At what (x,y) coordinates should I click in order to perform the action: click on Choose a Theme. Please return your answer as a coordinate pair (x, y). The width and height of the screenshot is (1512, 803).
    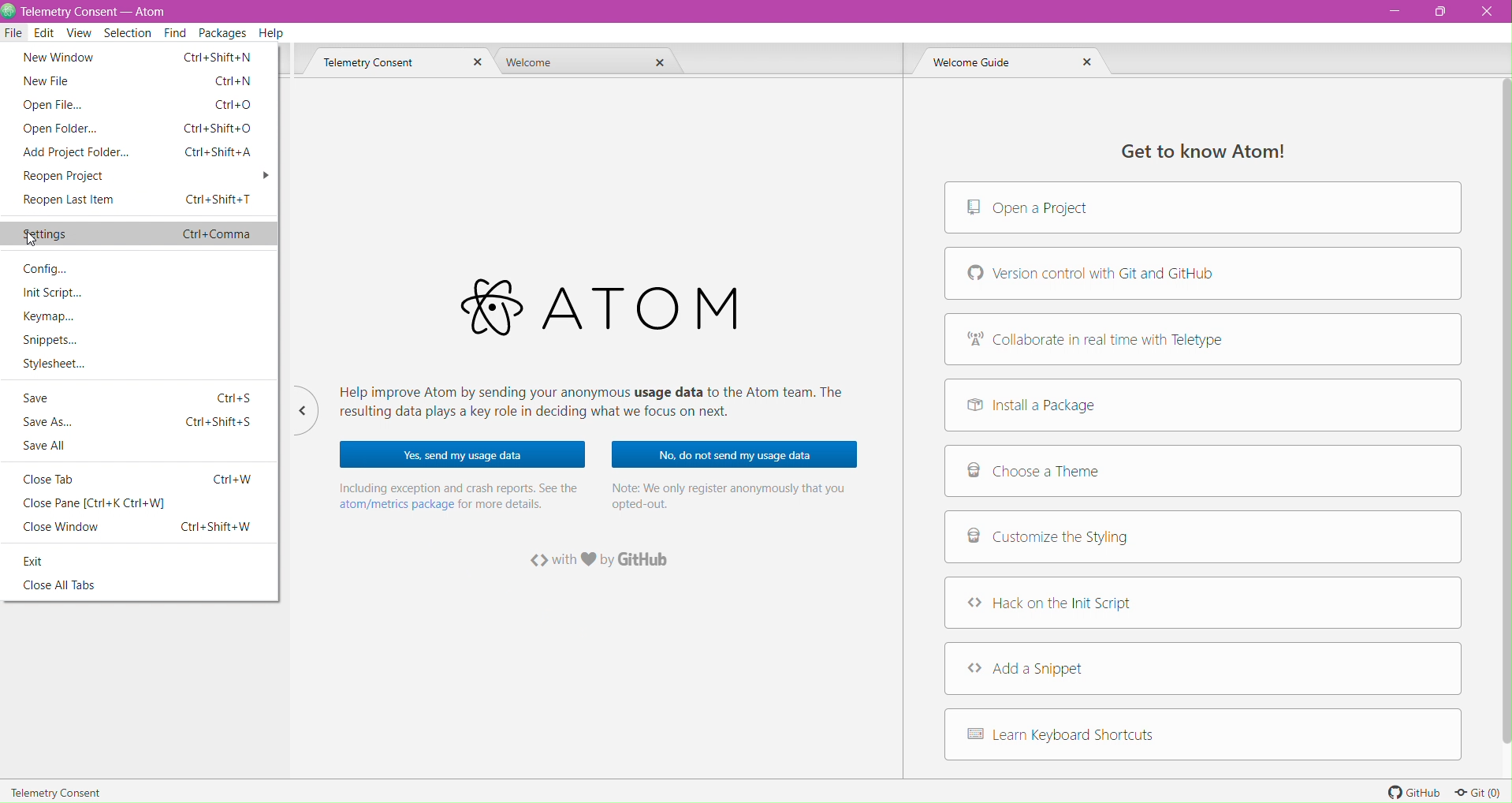
    Looking at the image, I should click on (1203, 472).